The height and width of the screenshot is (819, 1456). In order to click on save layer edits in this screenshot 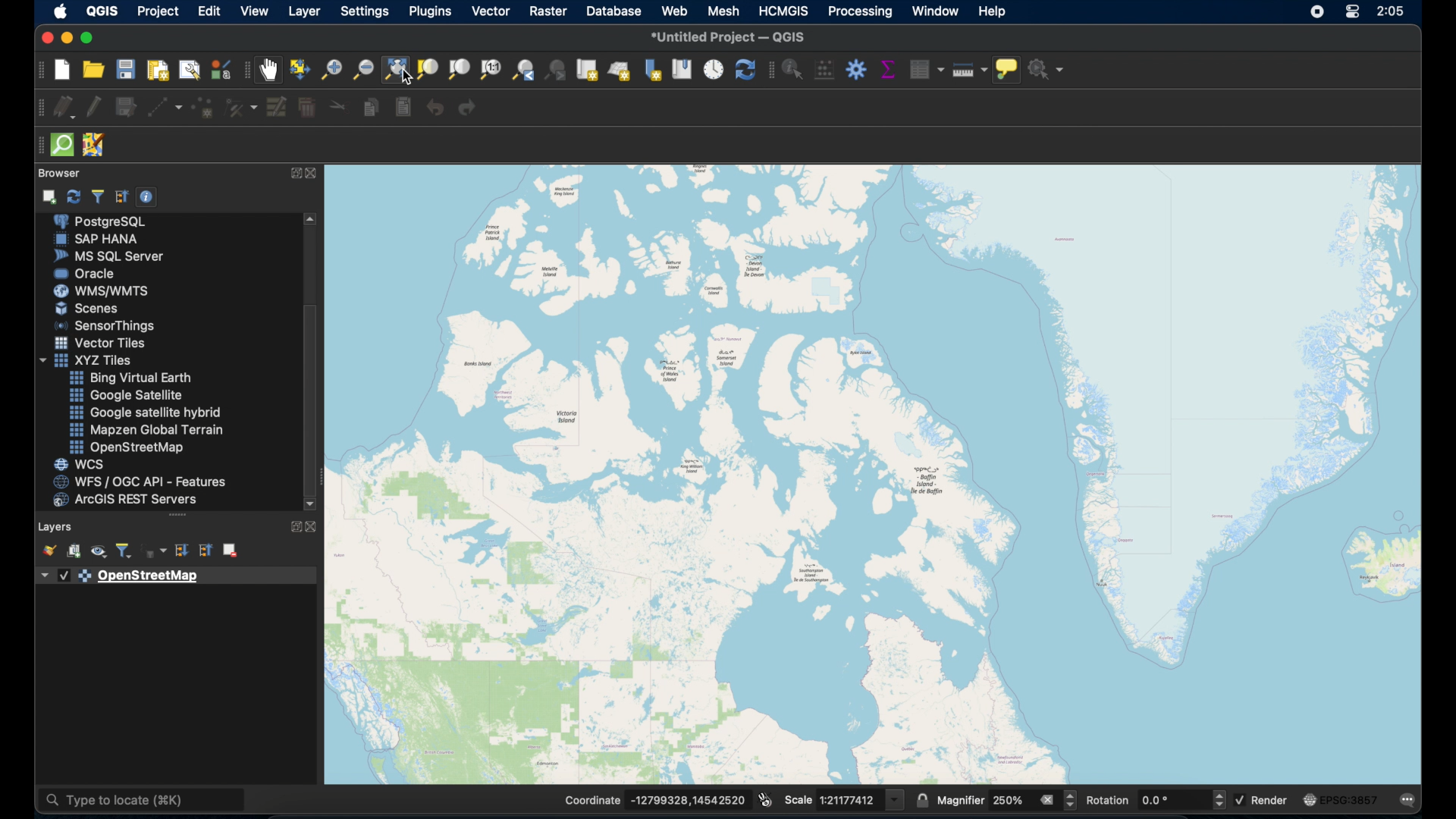, I will do `click(126, 108)`.